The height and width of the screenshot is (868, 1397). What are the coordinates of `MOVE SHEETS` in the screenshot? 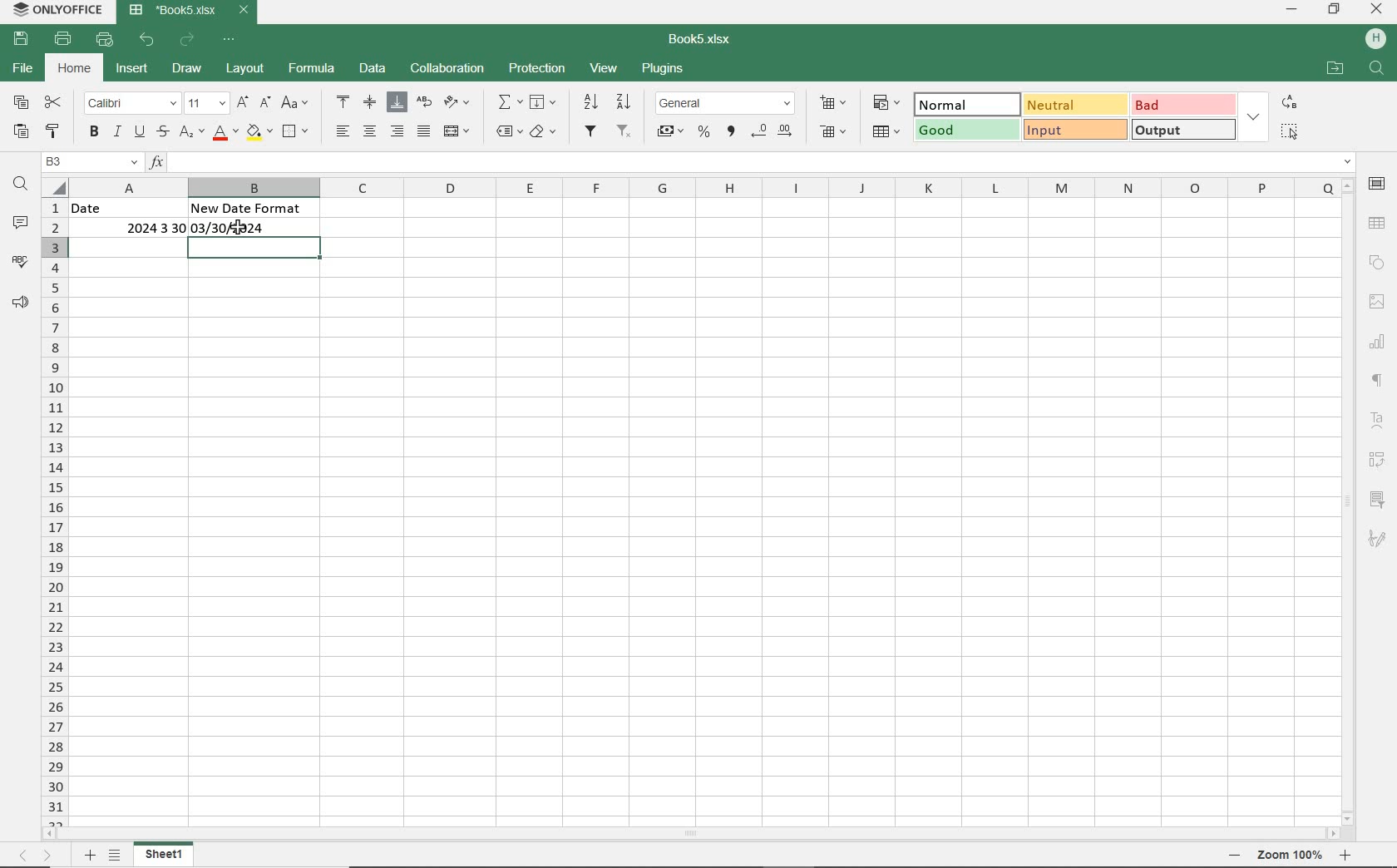 It's located at (34, 856).